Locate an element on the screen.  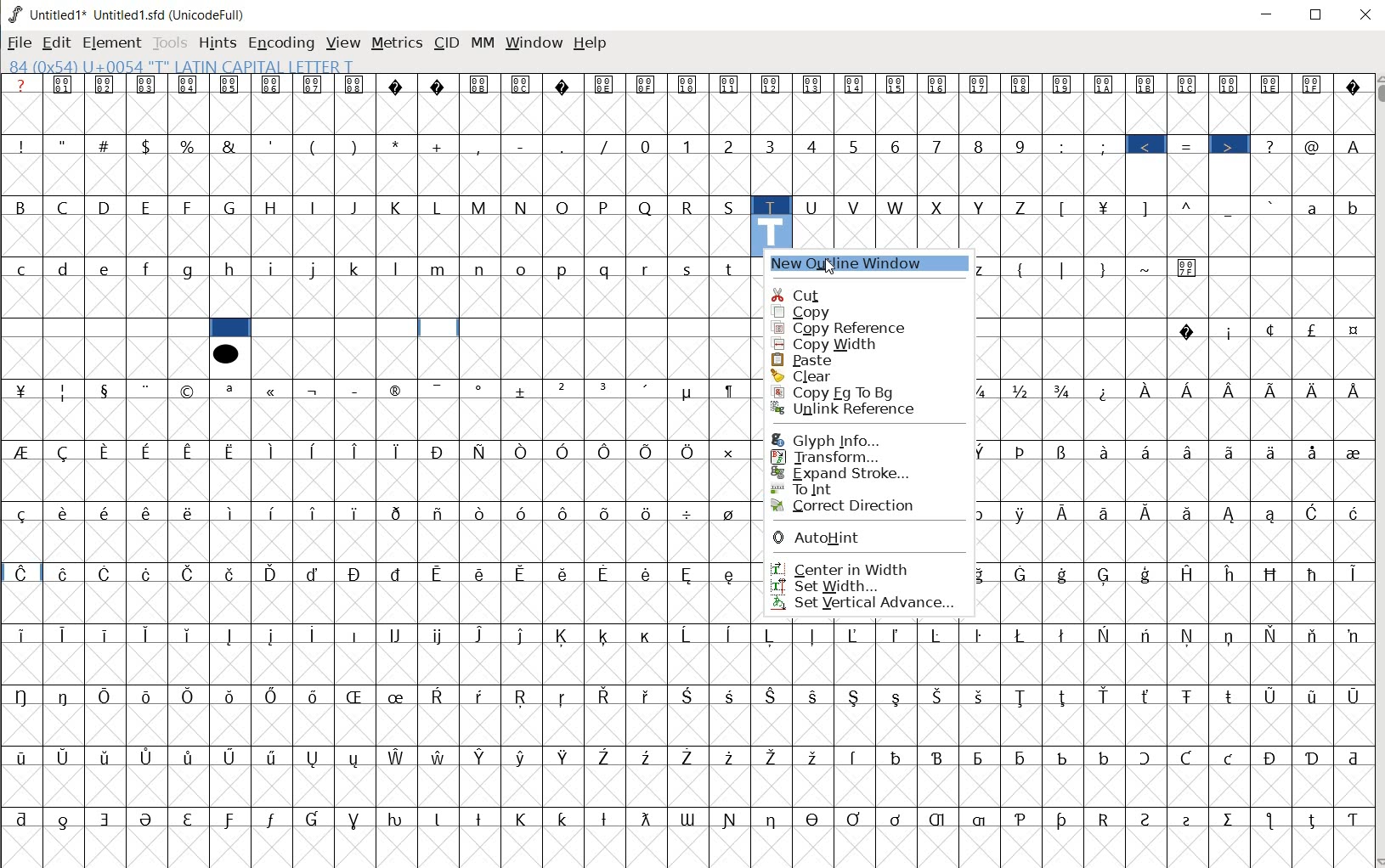
Symbol is located at coordinates (231, 390).